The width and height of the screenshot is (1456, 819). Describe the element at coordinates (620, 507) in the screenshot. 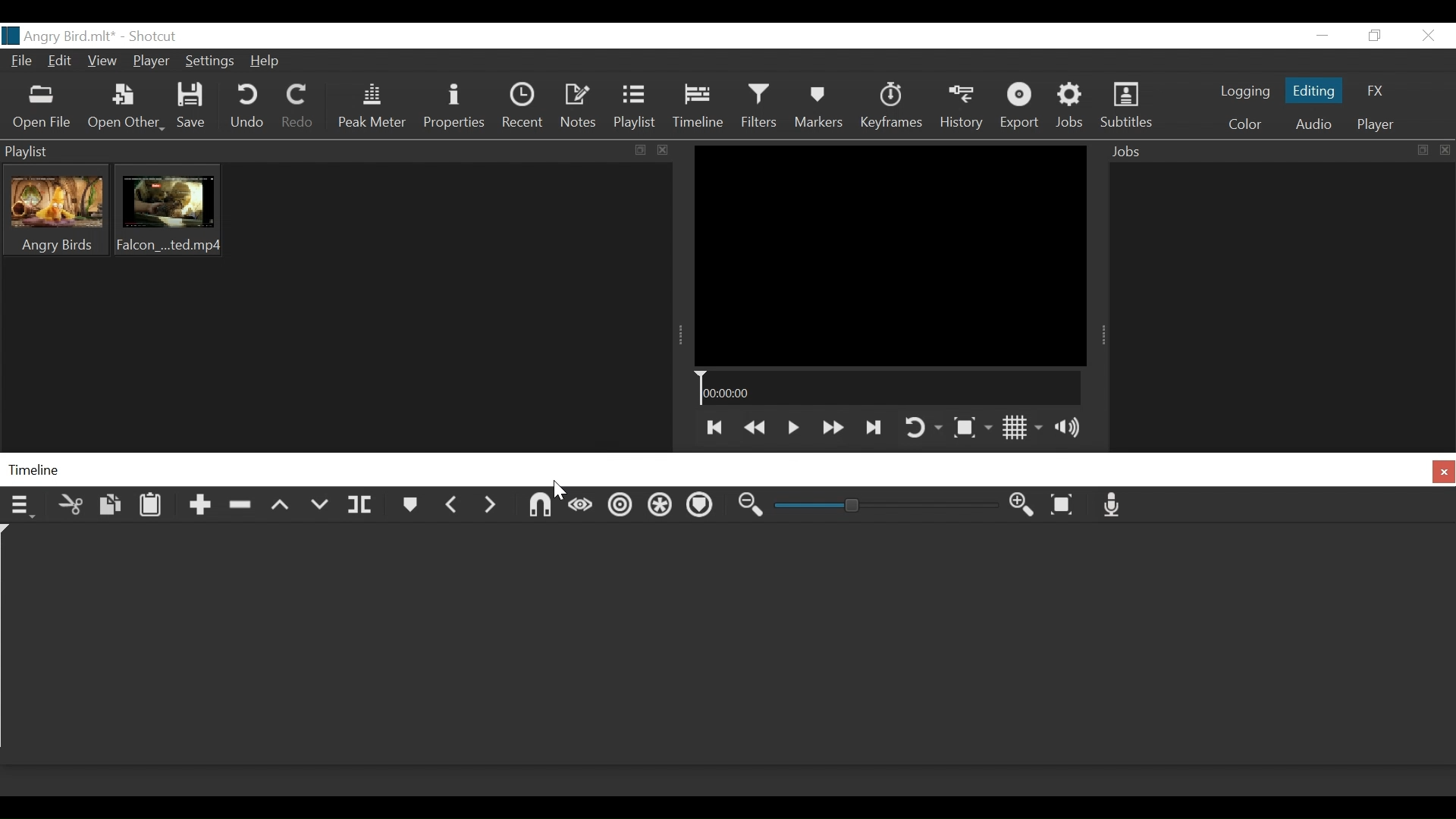

I see `Ripple ` at that location.